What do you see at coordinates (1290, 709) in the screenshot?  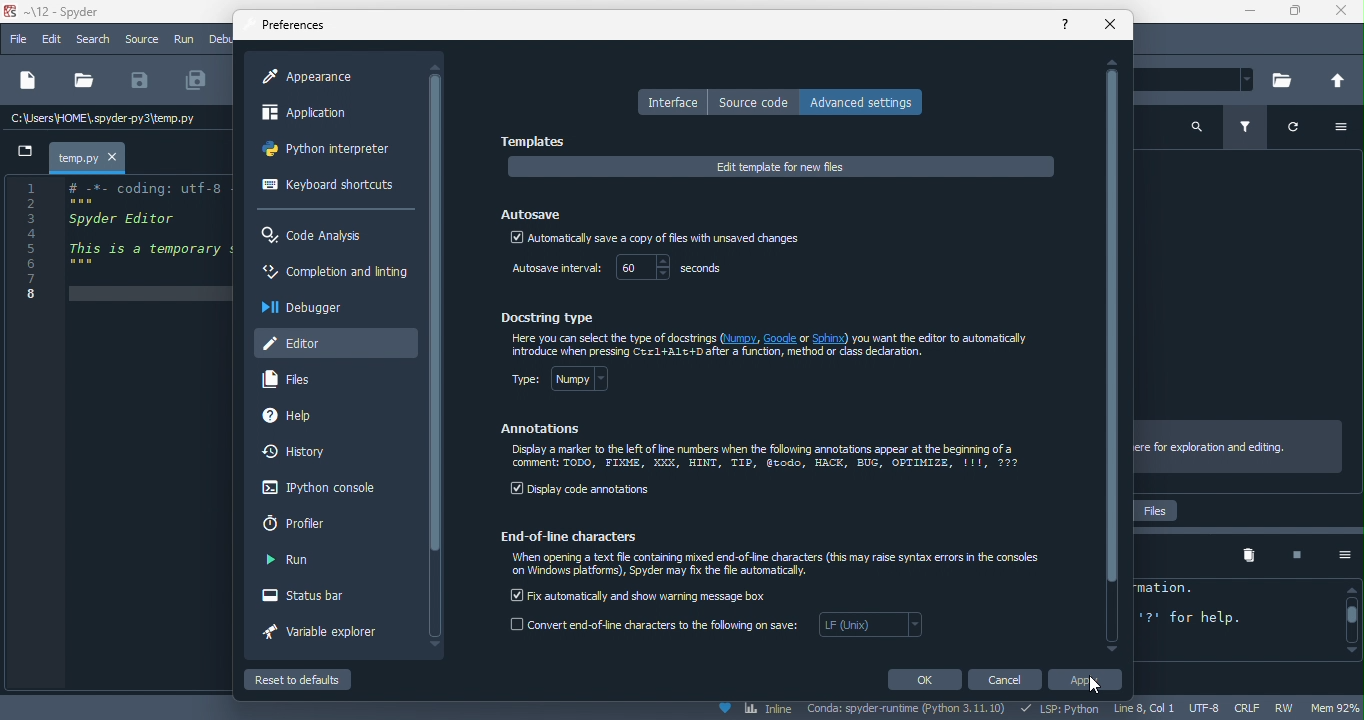 I see `rw` at bounding box center [1290, 709].